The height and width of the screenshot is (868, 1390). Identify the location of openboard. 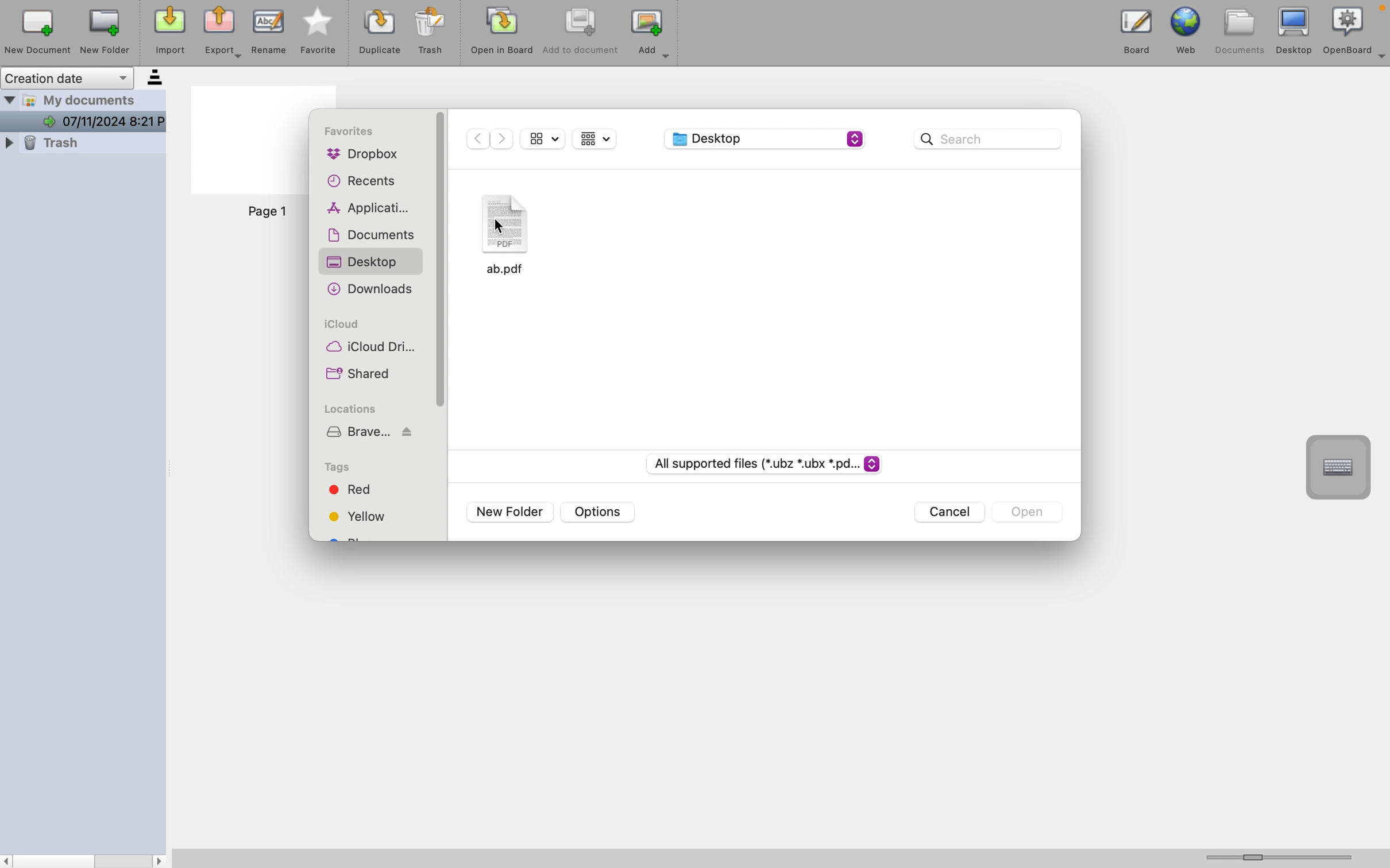
(1348, 29).